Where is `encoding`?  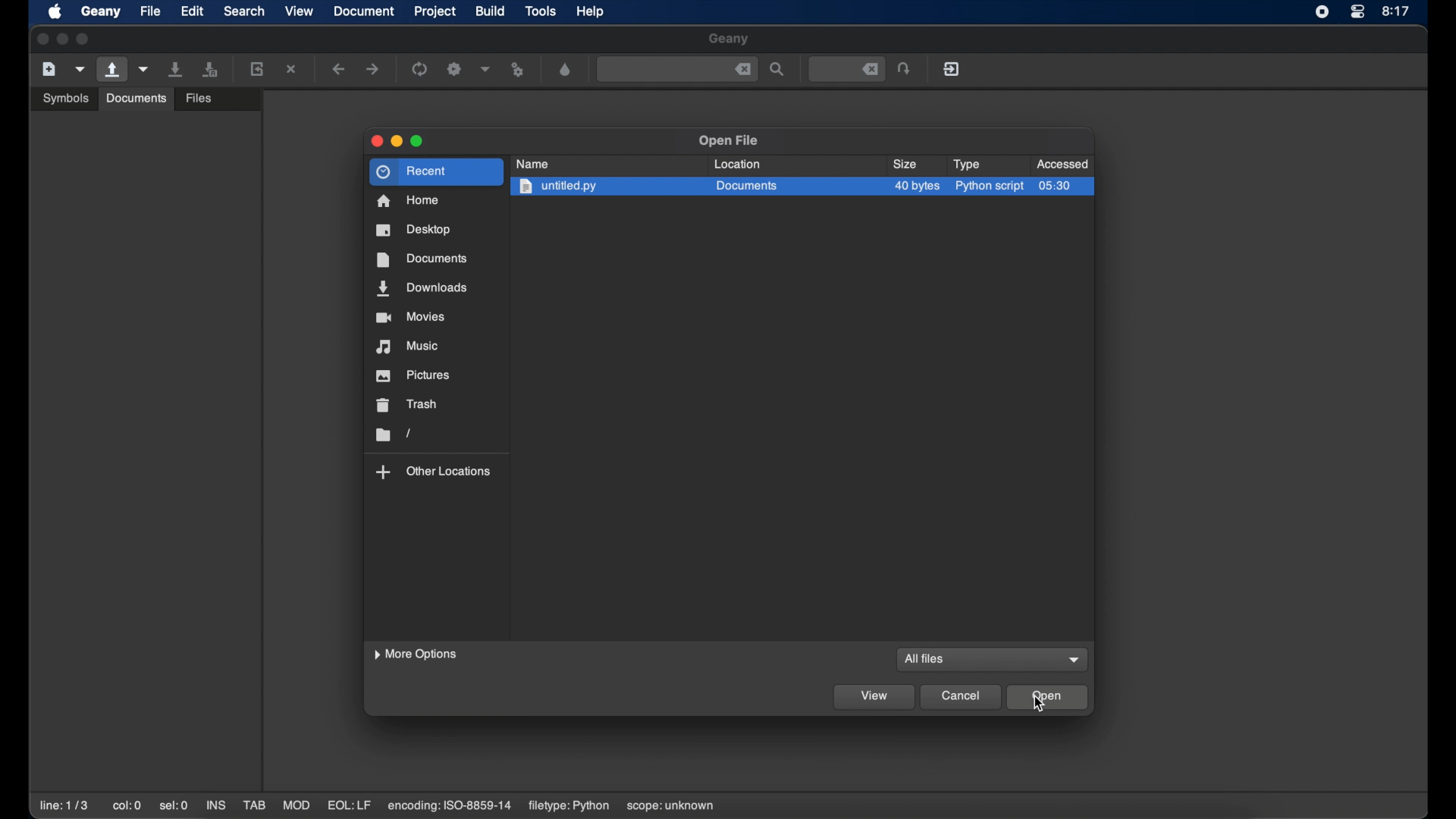 encoding is located at coordinates (450, 806).